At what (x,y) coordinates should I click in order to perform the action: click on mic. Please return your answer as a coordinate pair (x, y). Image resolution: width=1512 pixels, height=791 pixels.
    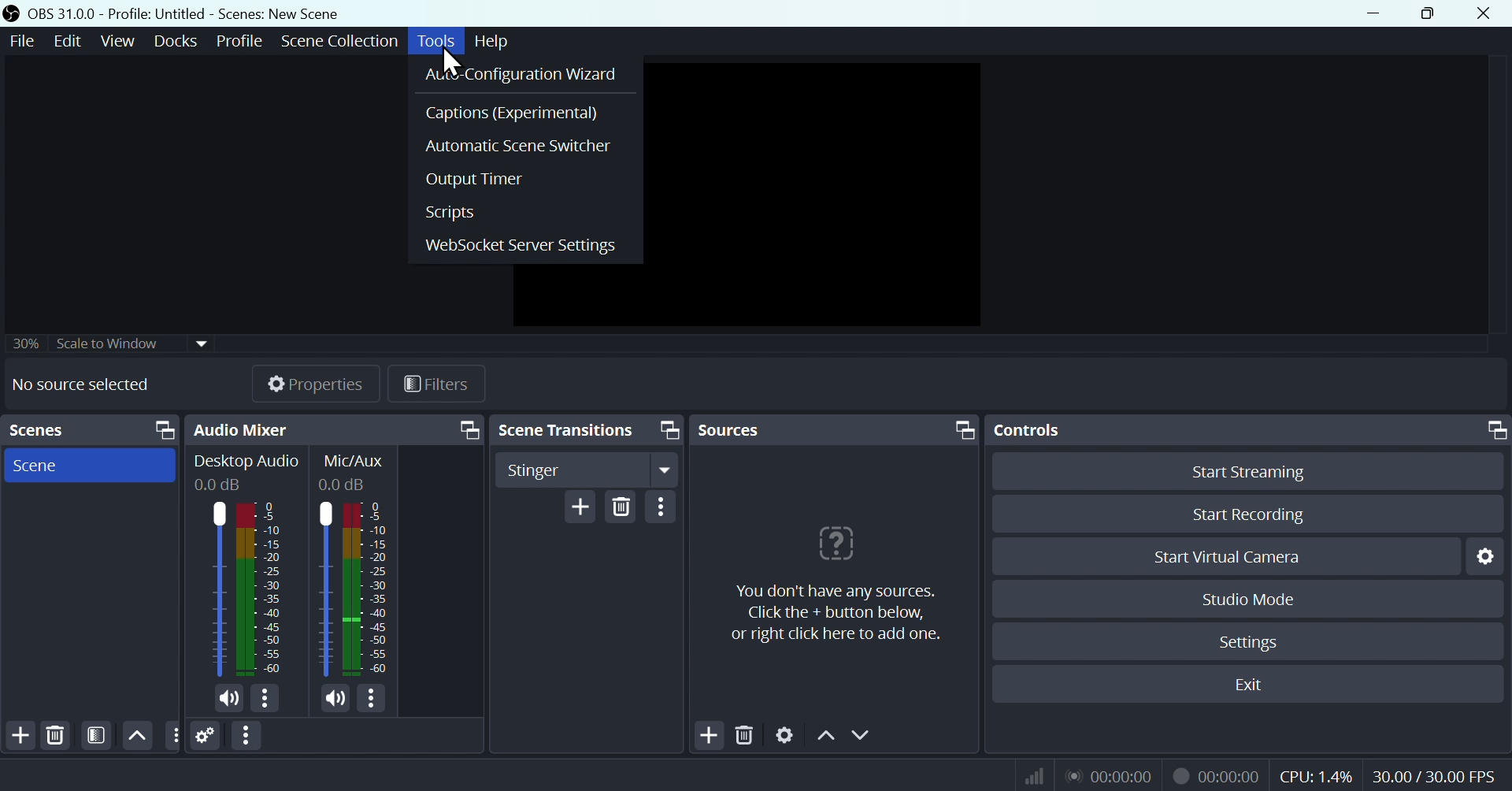
    Looking at the image, I should click on (229, 699).